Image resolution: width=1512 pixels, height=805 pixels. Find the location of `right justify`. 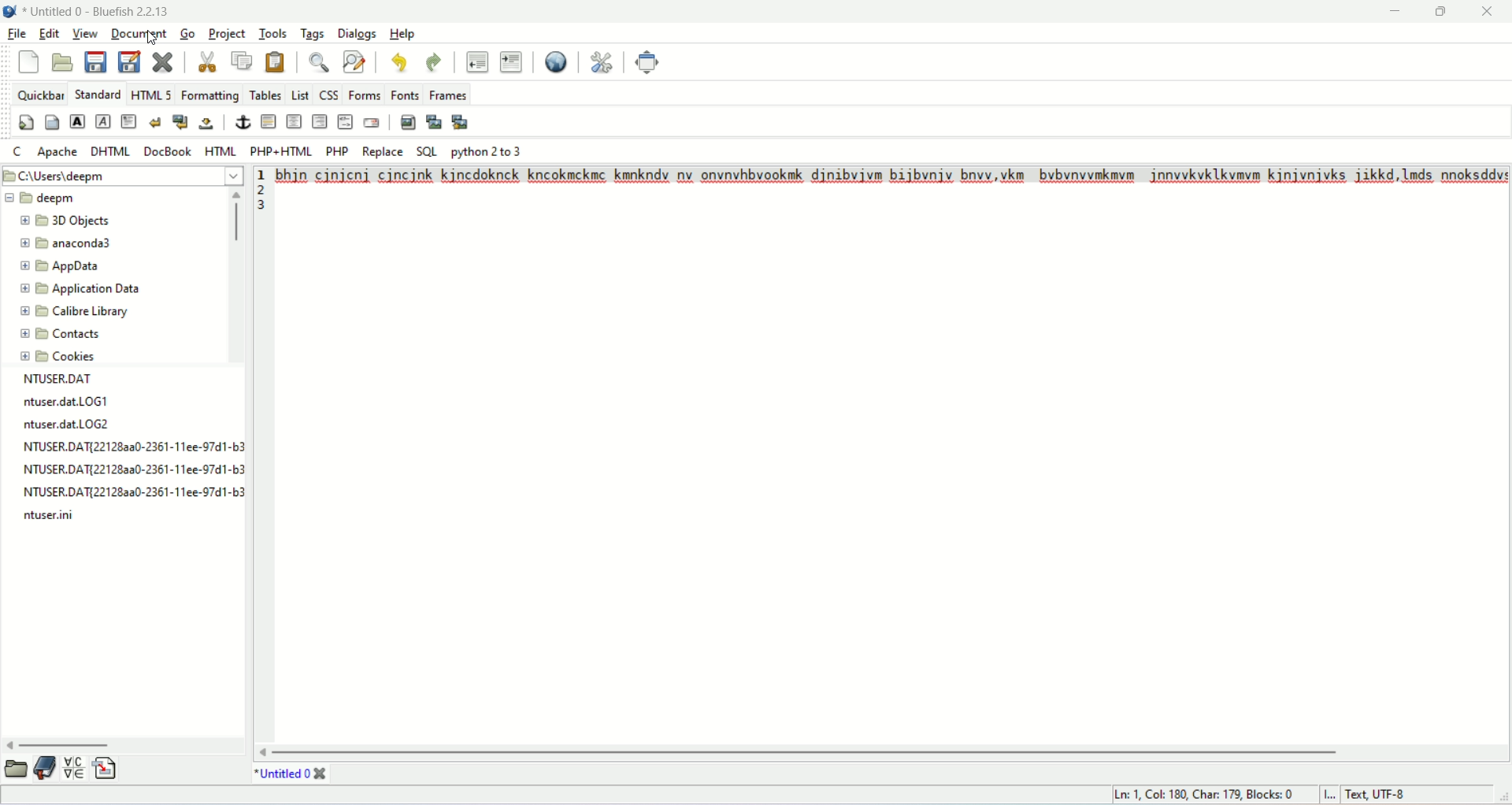

right justify is located at coordinates (321, 121).